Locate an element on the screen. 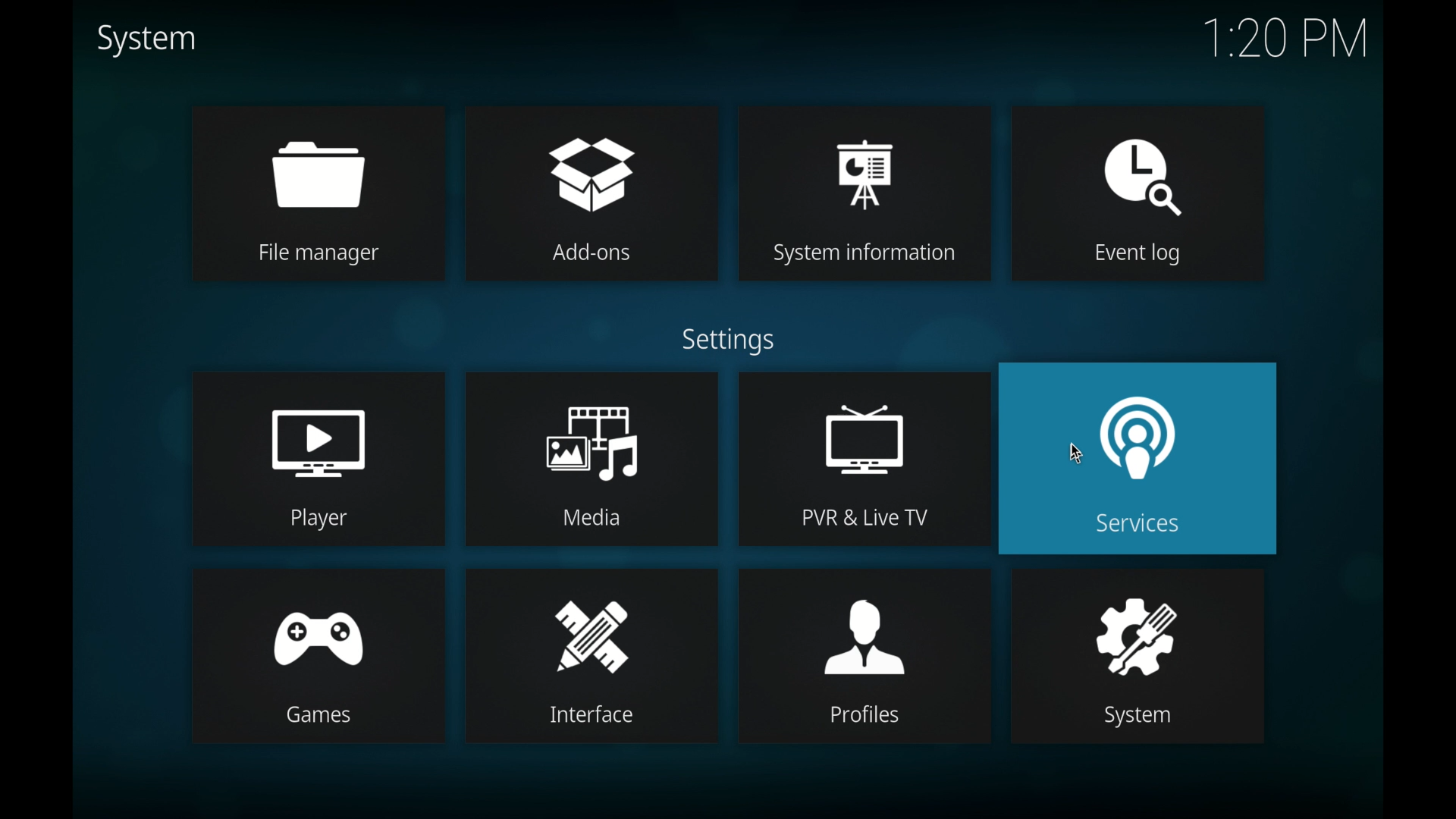 Image resolution: width=1456 pixels, height=819 pixels. file manager is located at coordinates (314, 193).